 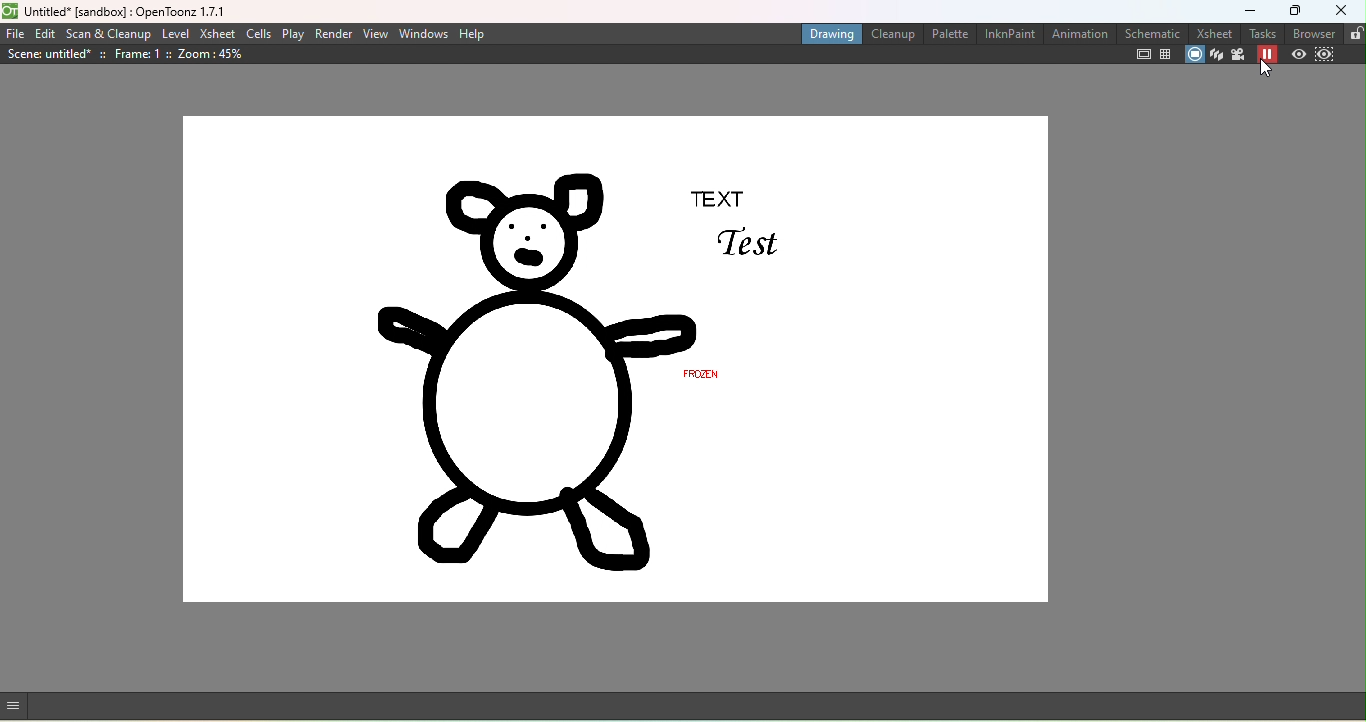 What do you see at coordinates (1346, 11) in the screenshot?
I see `Close` at bounding box center [1346, 11].